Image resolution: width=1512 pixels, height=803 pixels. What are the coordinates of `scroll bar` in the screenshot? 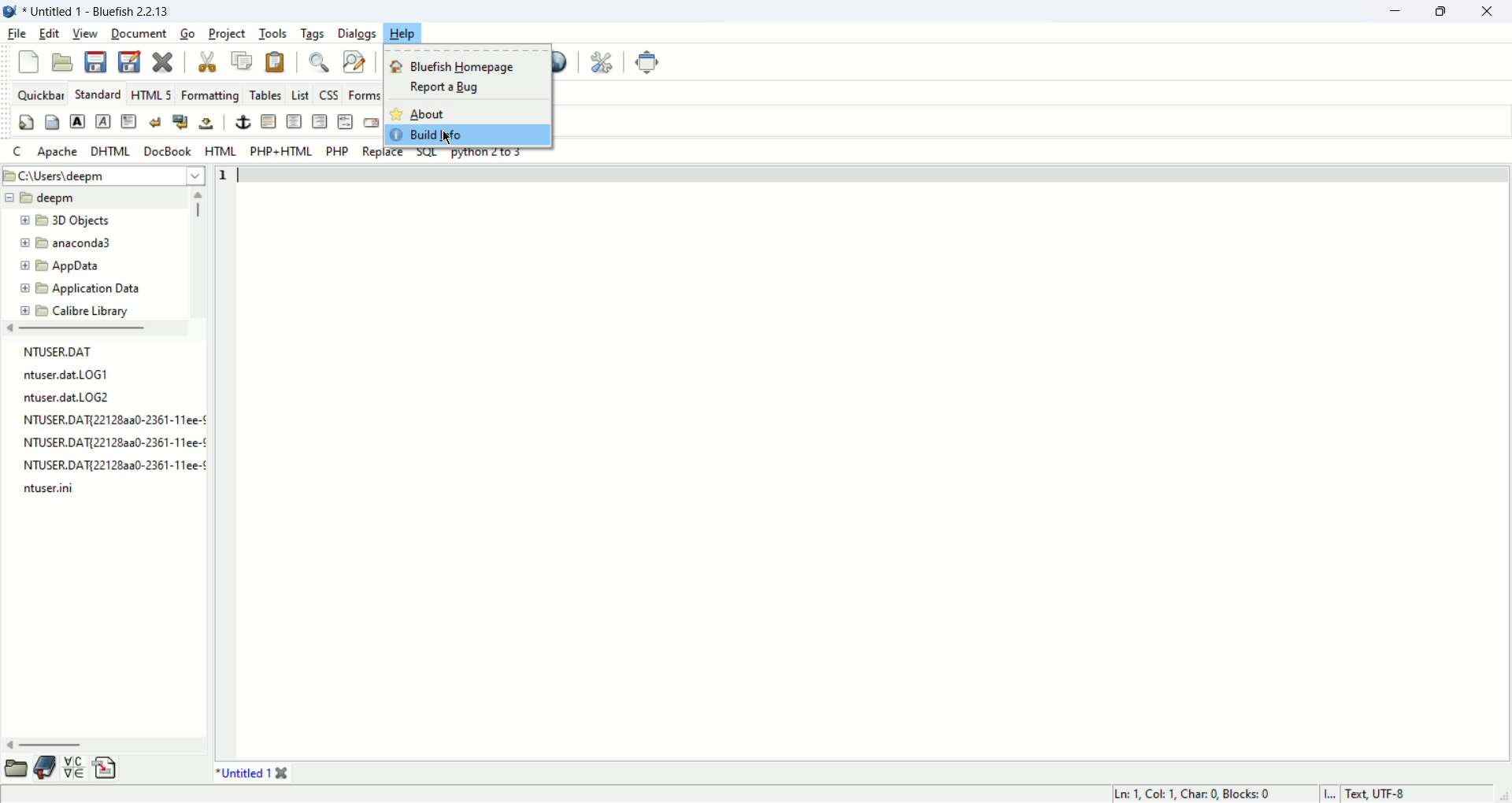 It's located at (104, 747).